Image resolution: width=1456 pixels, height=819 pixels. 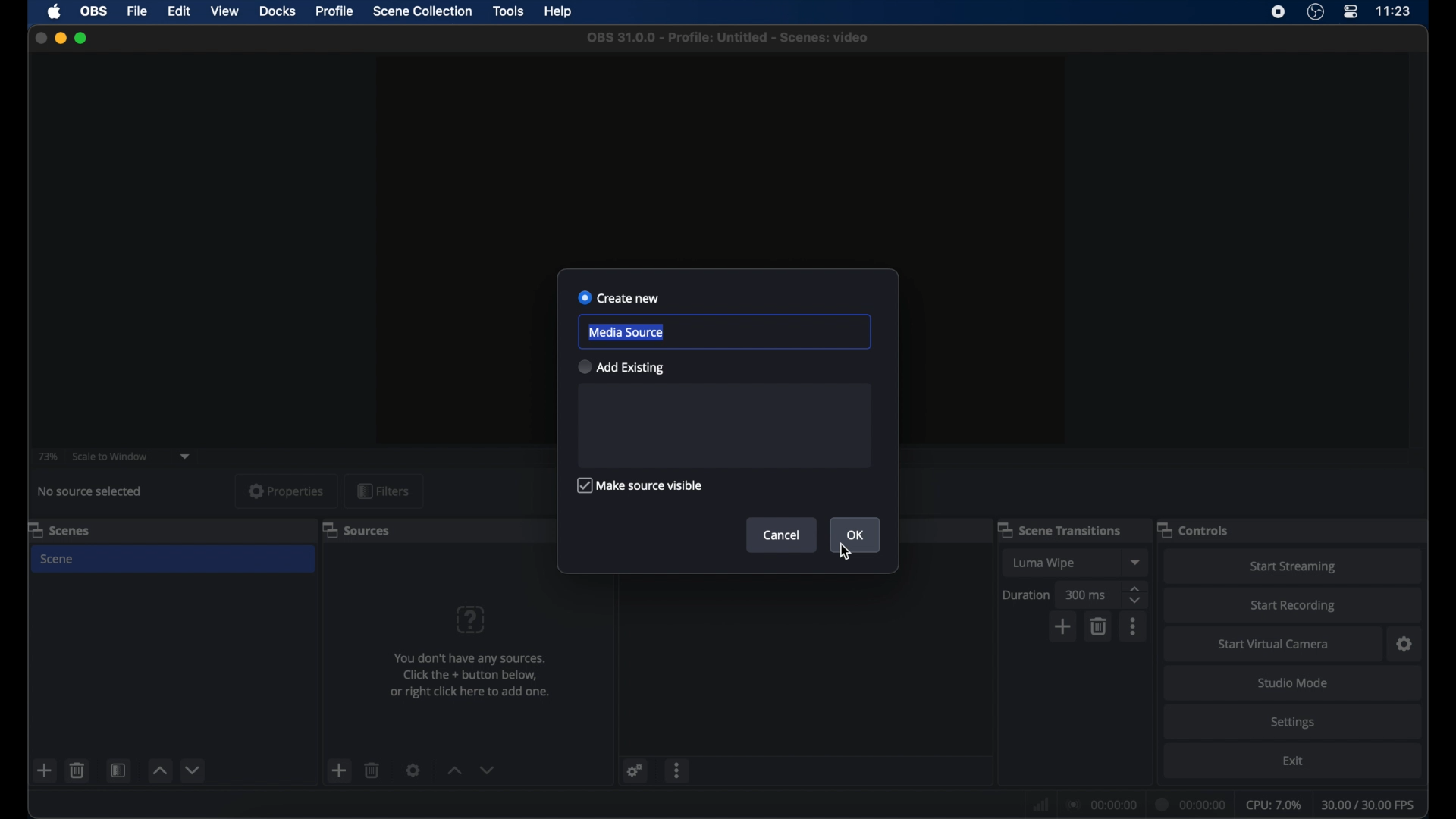 I want to click on cancel, so click(x=780, y=535).